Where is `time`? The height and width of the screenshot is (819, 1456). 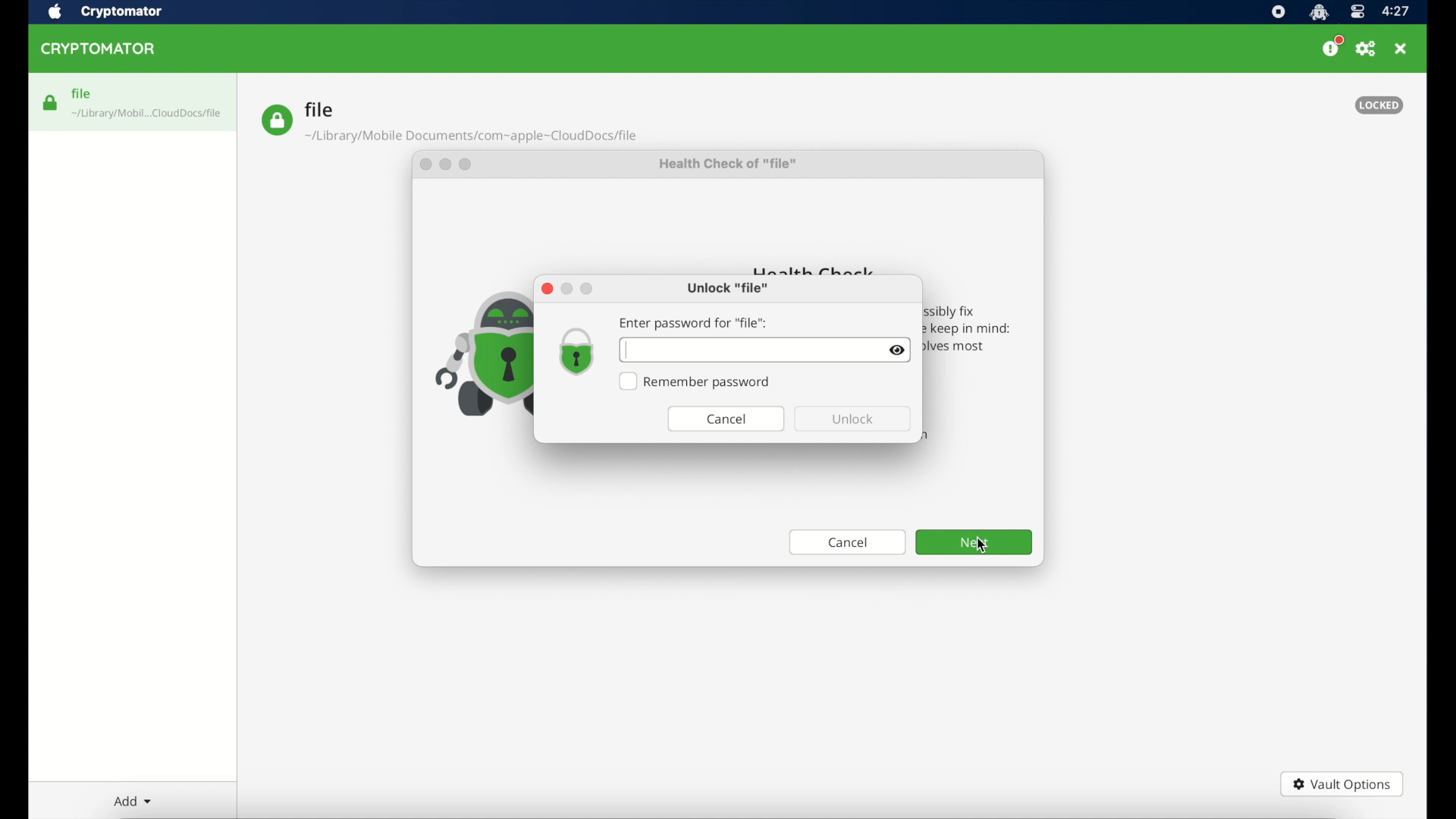 time is located at coordinates (1397, 11).